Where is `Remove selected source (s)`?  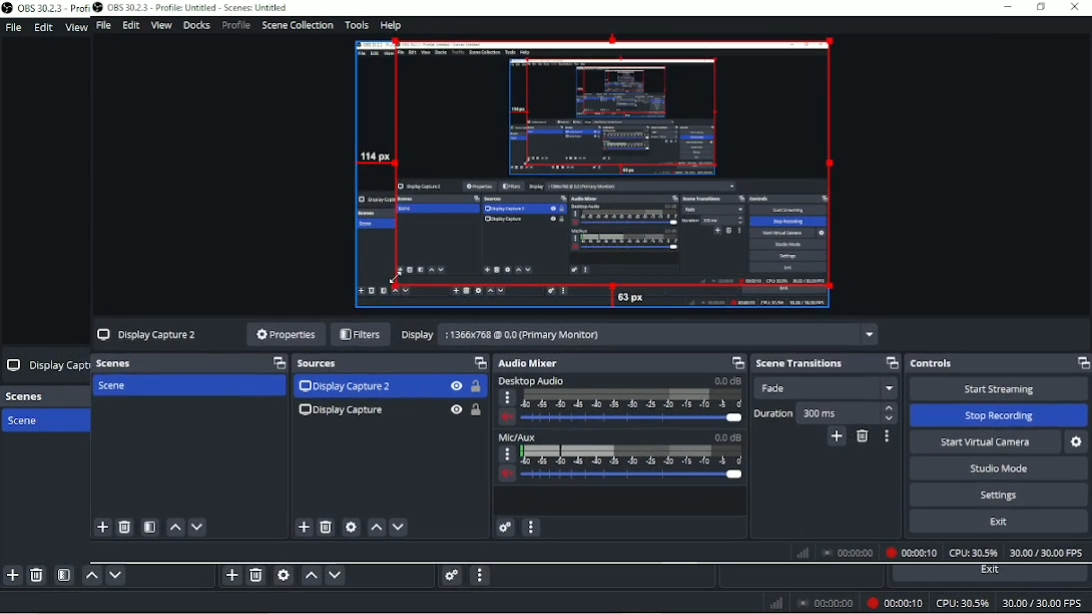 Remove selected source (s) is located at coordinates (256, 577).